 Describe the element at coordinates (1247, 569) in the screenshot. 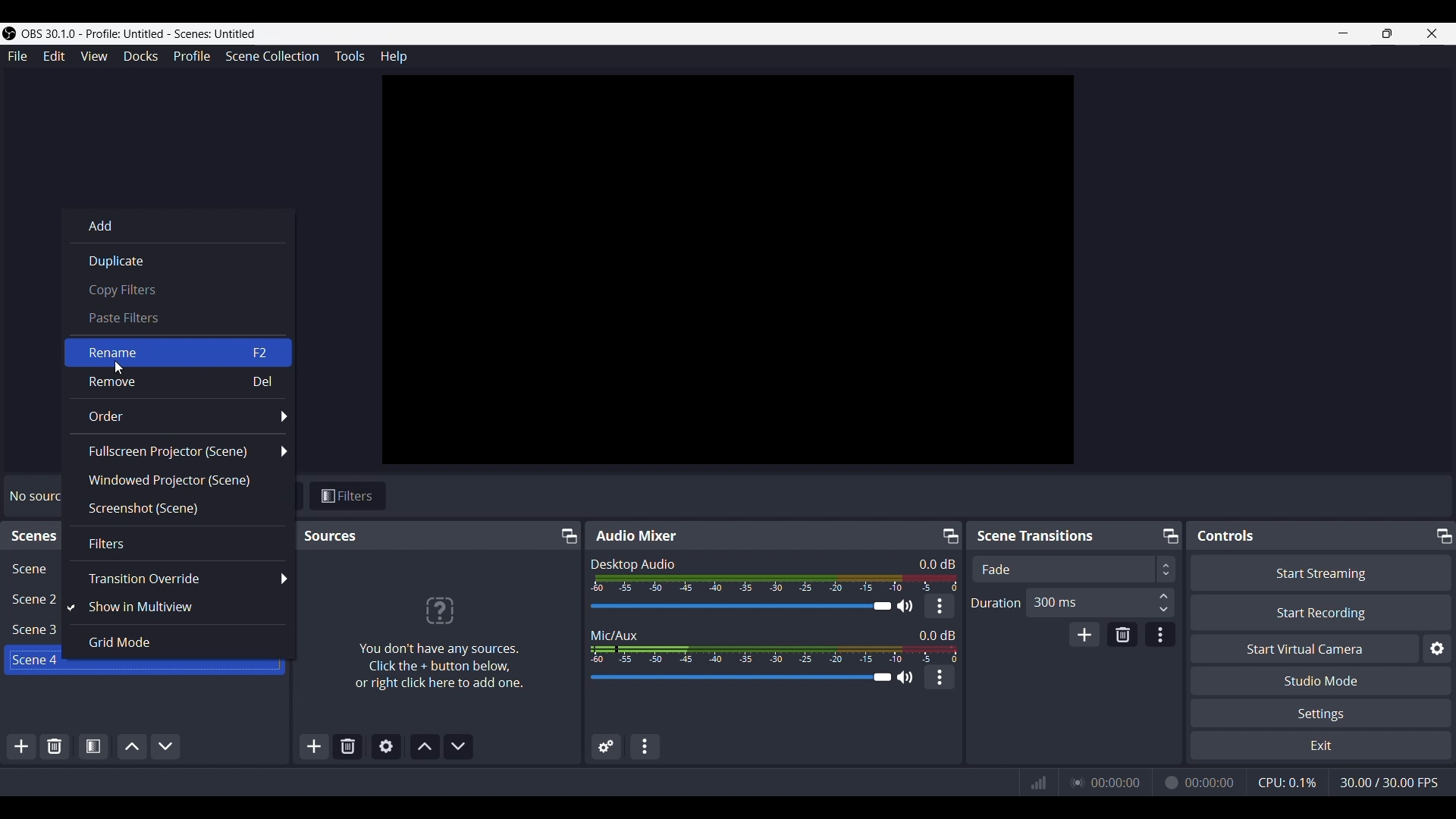

I see `Transition Type Dropdown` at that location.